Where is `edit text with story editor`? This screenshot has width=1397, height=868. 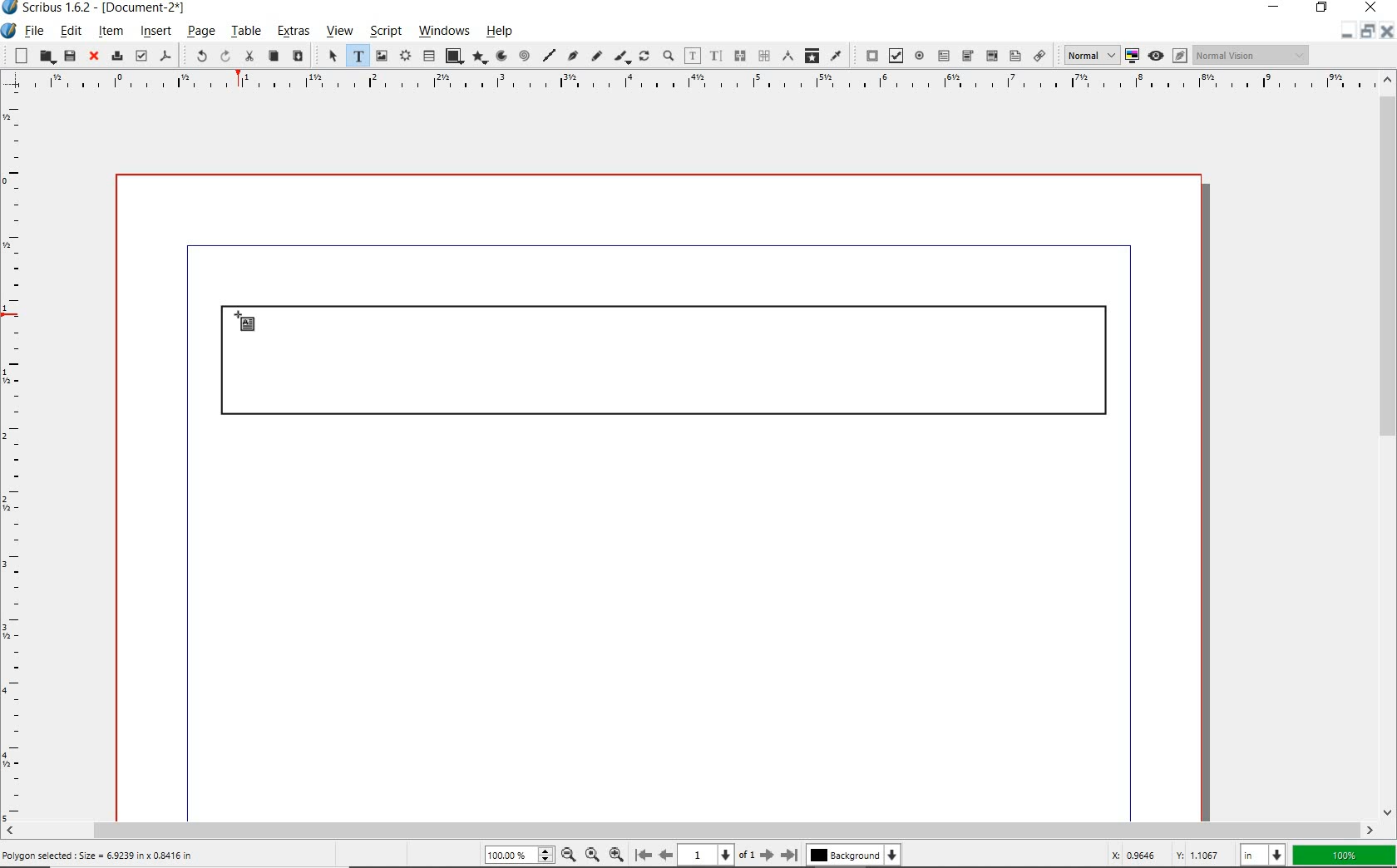 edit text with story editor is located at coordinates (716, 57).